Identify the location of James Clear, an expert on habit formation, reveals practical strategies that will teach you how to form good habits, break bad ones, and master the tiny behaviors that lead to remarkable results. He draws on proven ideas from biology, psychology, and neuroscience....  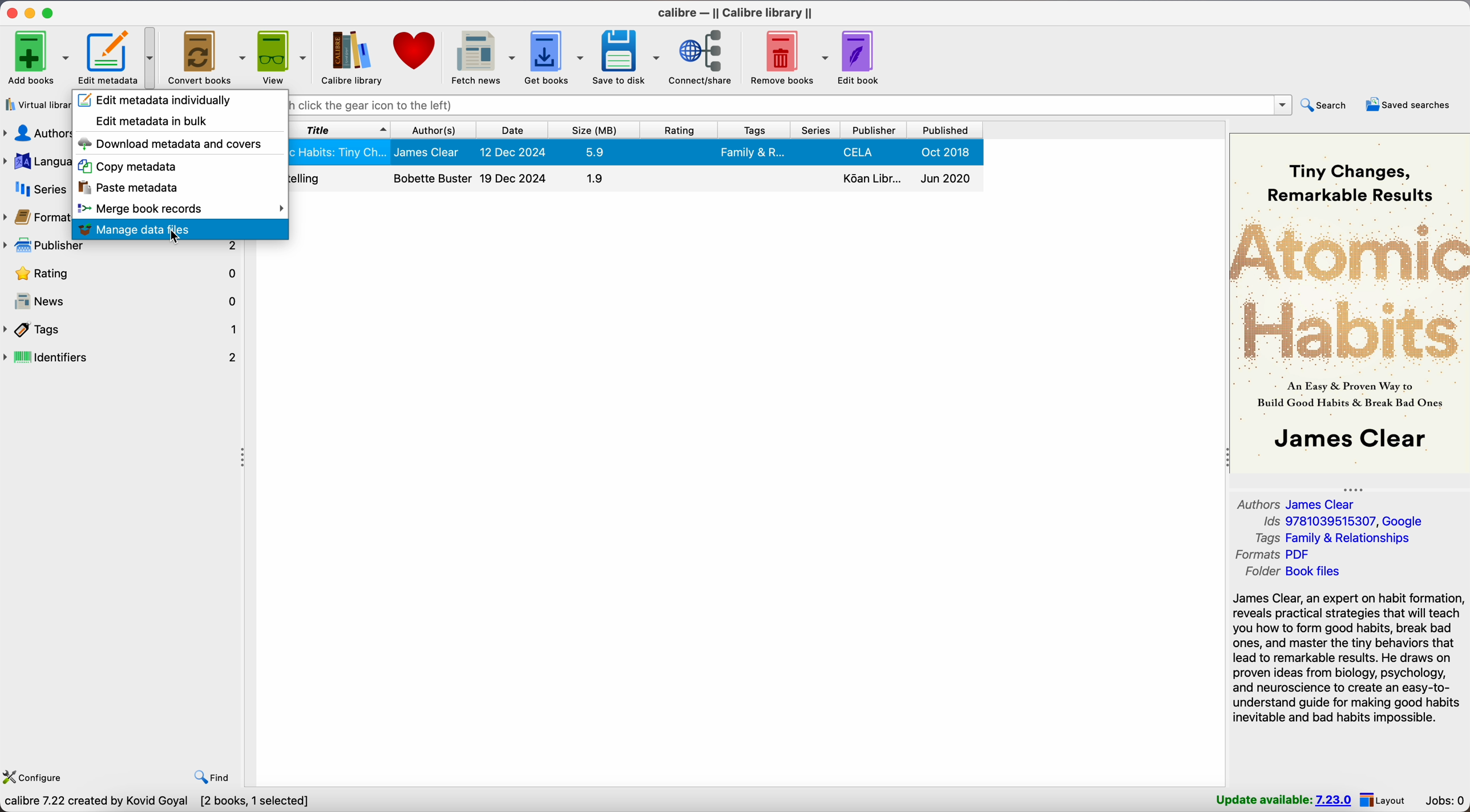
(1348, 660).